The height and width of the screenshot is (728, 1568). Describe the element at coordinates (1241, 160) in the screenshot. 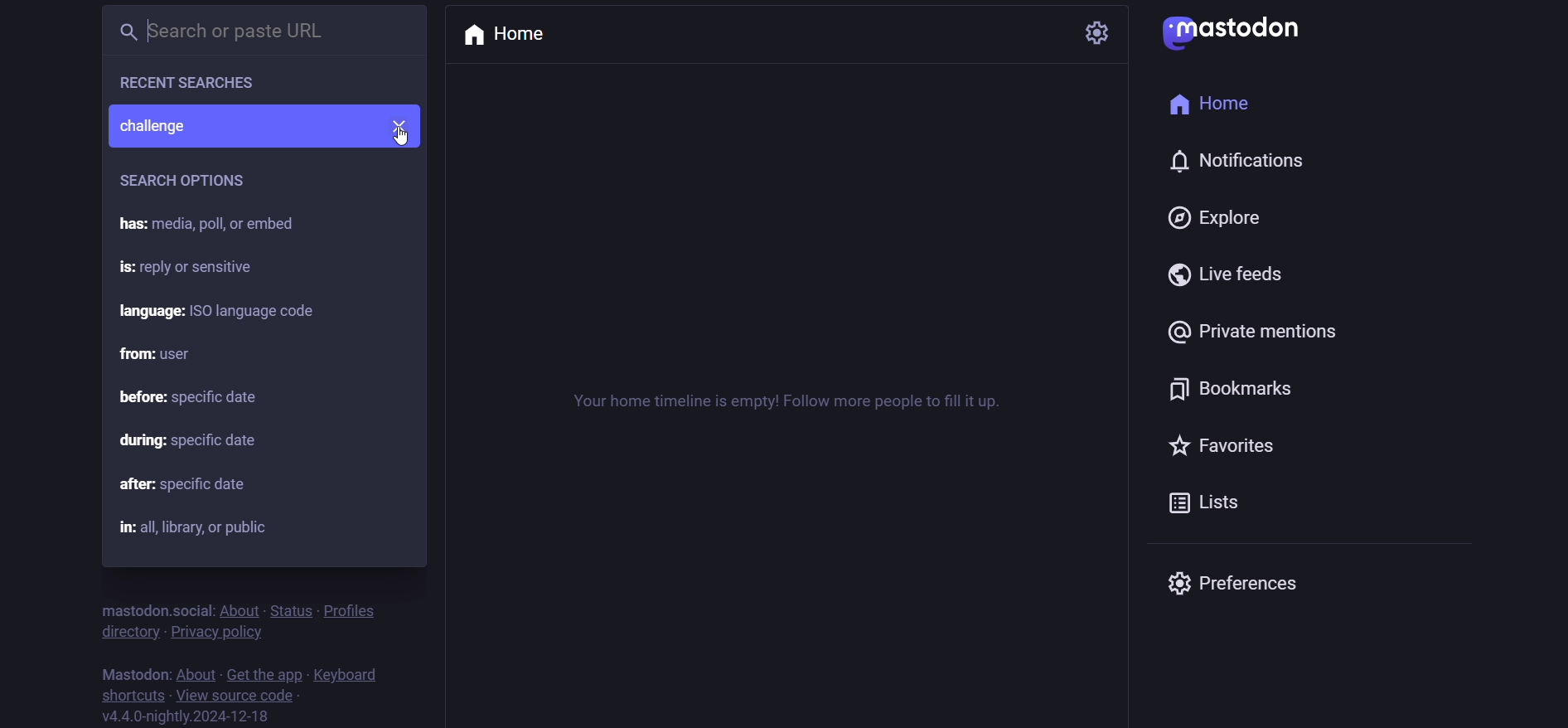

I see `notification` at that location.